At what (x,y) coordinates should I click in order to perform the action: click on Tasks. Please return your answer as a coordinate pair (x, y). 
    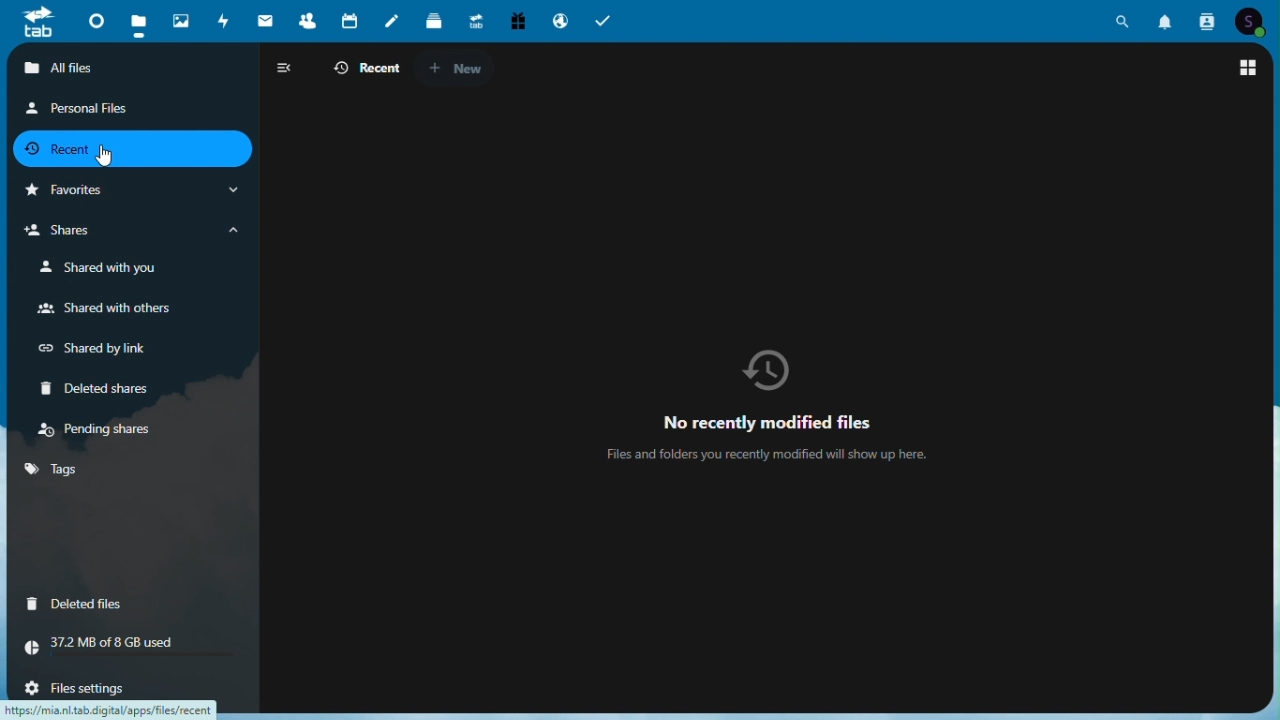
    Looking at the image, I should click on (602, 21).